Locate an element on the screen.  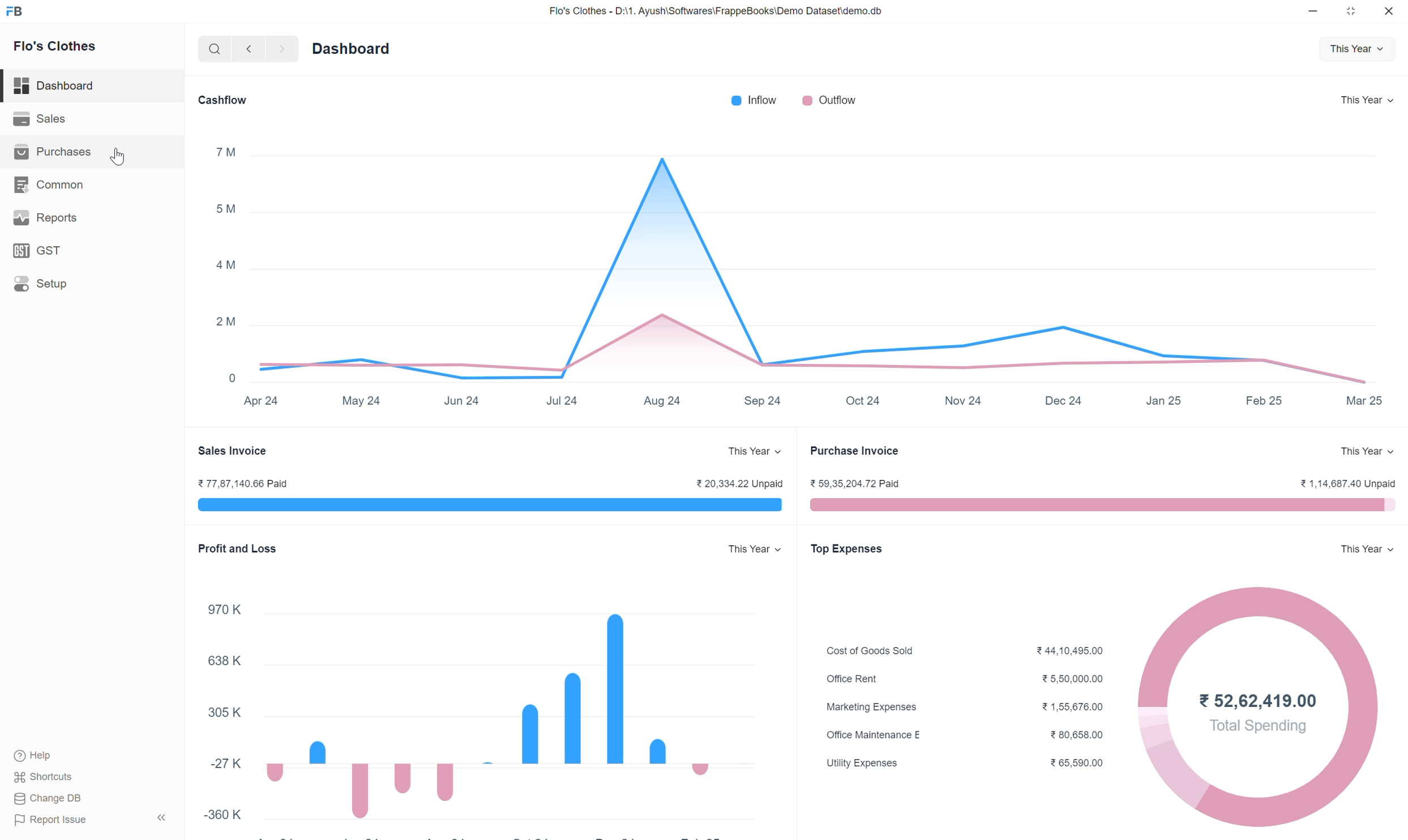
Cost of Goods Sold is located at coordinates (870, 650).